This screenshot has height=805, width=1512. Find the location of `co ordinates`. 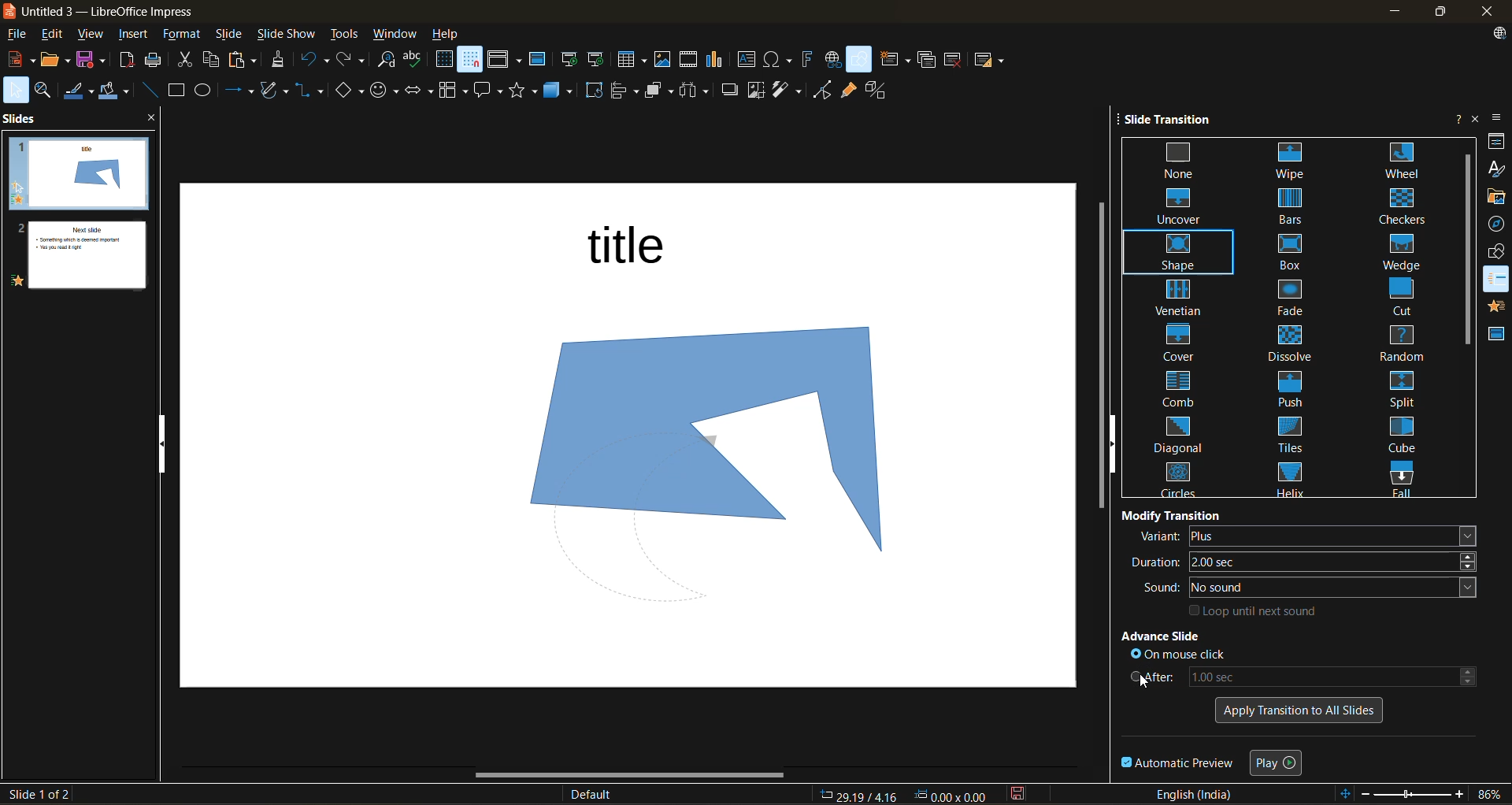

co ordinates is located at coordinates (903, 796).